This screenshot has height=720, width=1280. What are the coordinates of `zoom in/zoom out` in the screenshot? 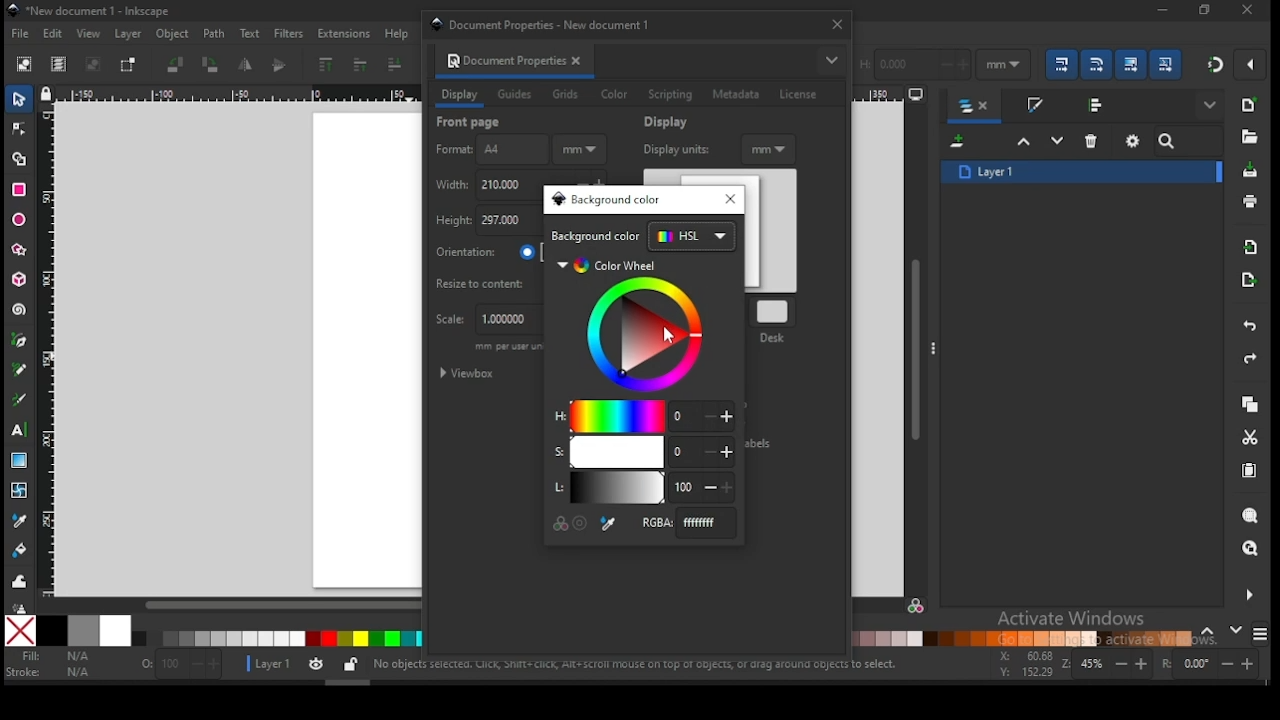 It's located at (1108, 664).